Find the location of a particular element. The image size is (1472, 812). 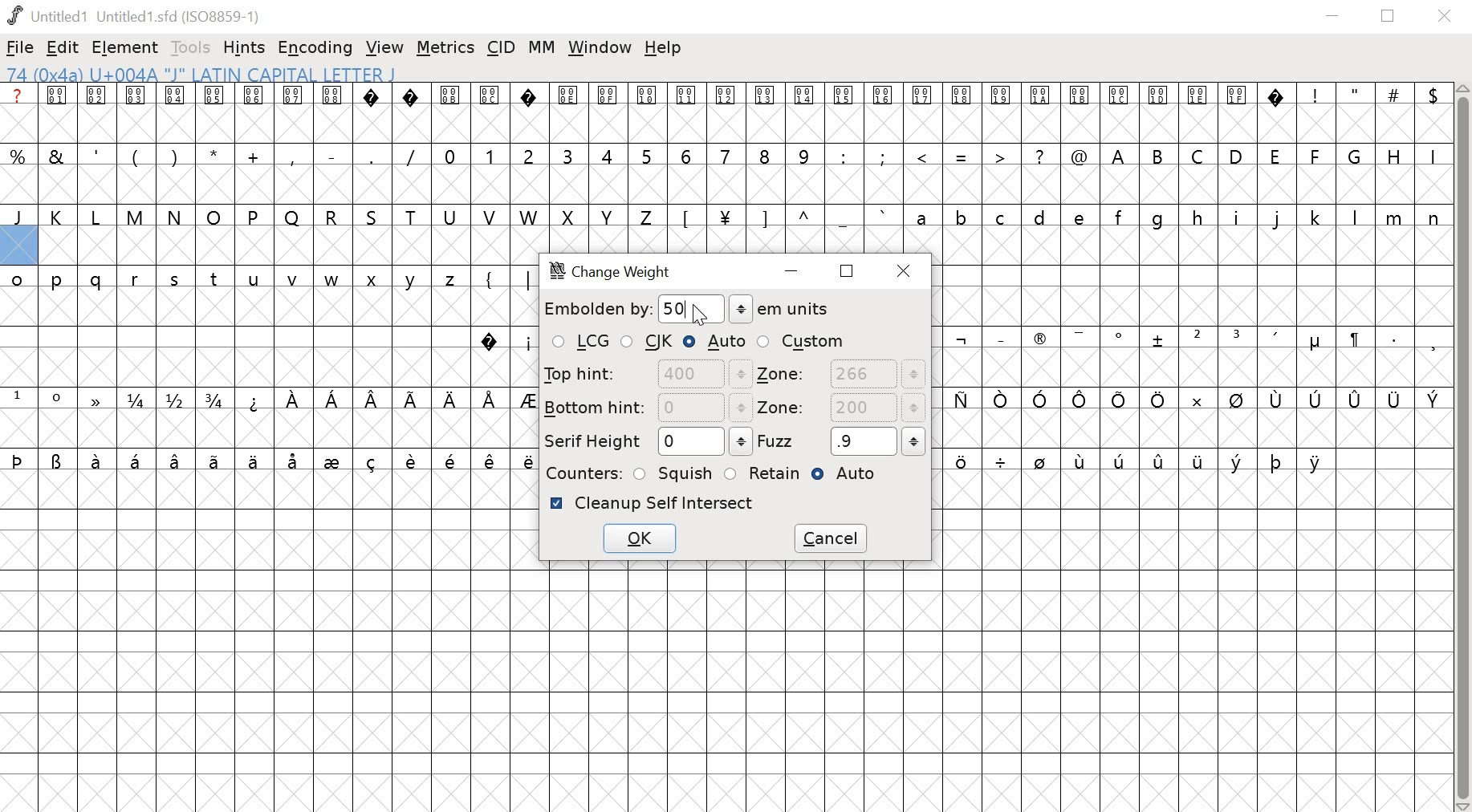

Untitled1 (Untitled1.sfd(ISO8859-1) is located at coordinates (137, 15).